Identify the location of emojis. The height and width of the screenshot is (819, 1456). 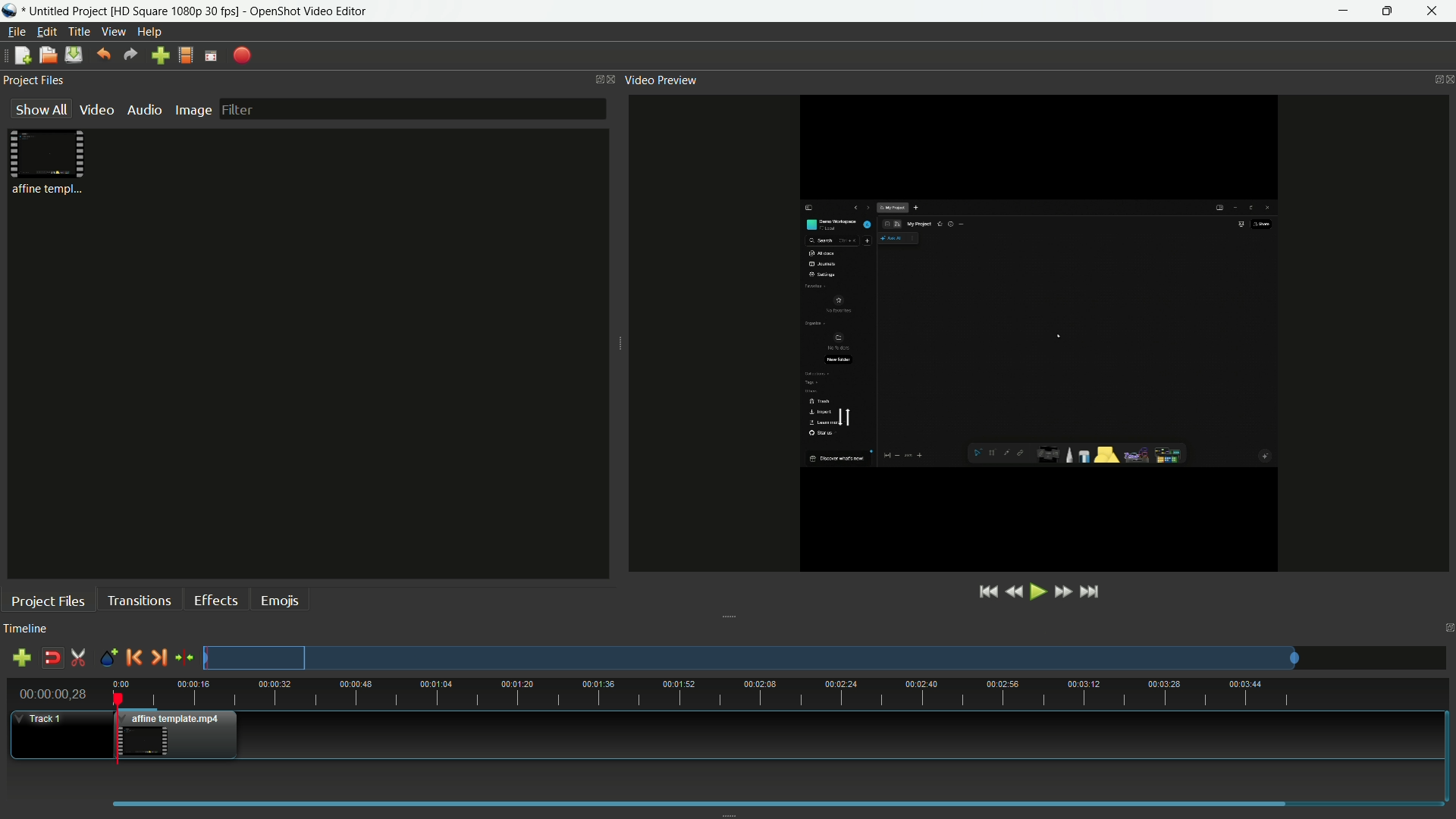
(281, 599).